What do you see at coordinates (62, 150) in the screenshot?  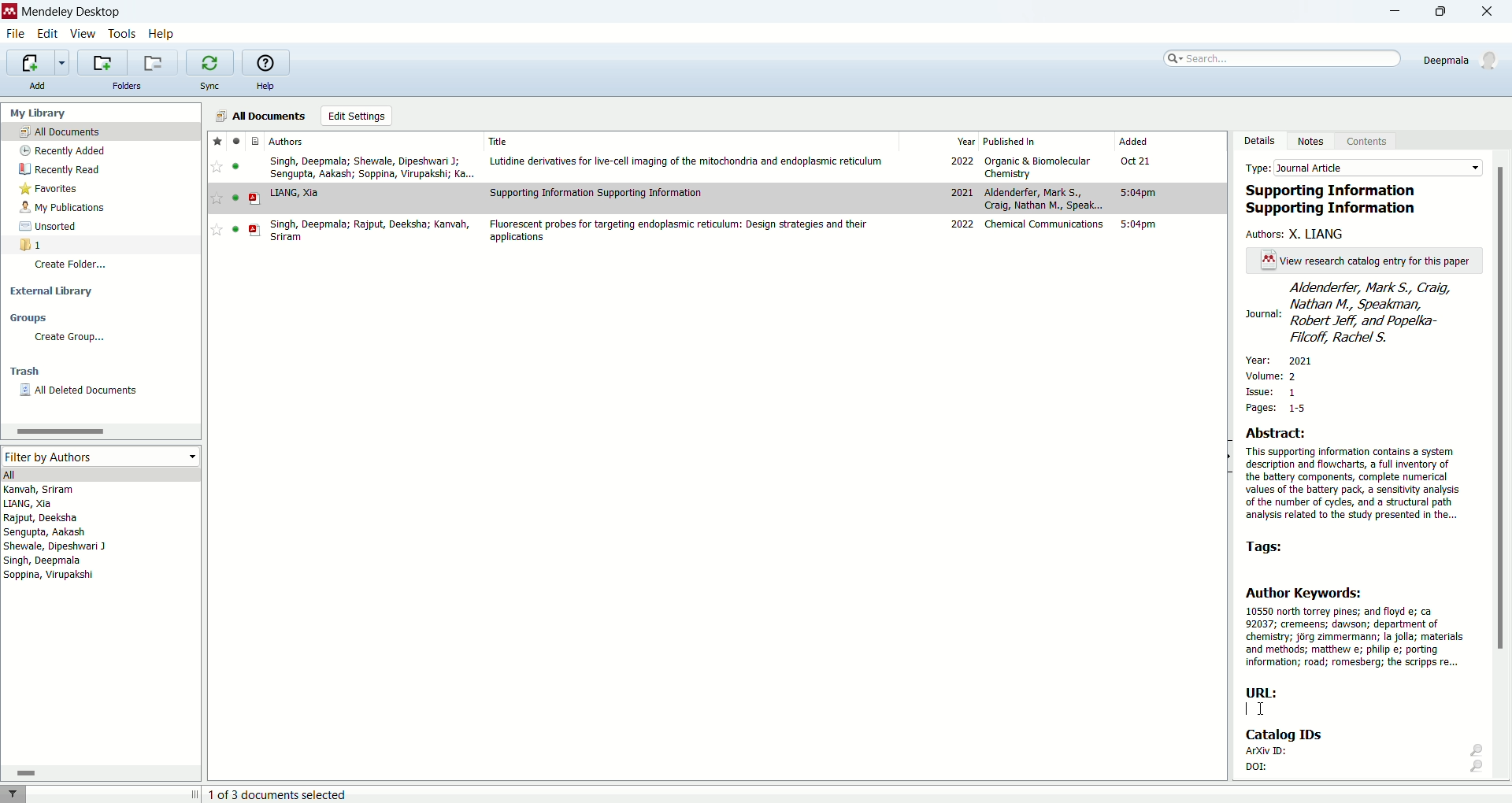 I see `recently added` at bounding box center [62, 150].